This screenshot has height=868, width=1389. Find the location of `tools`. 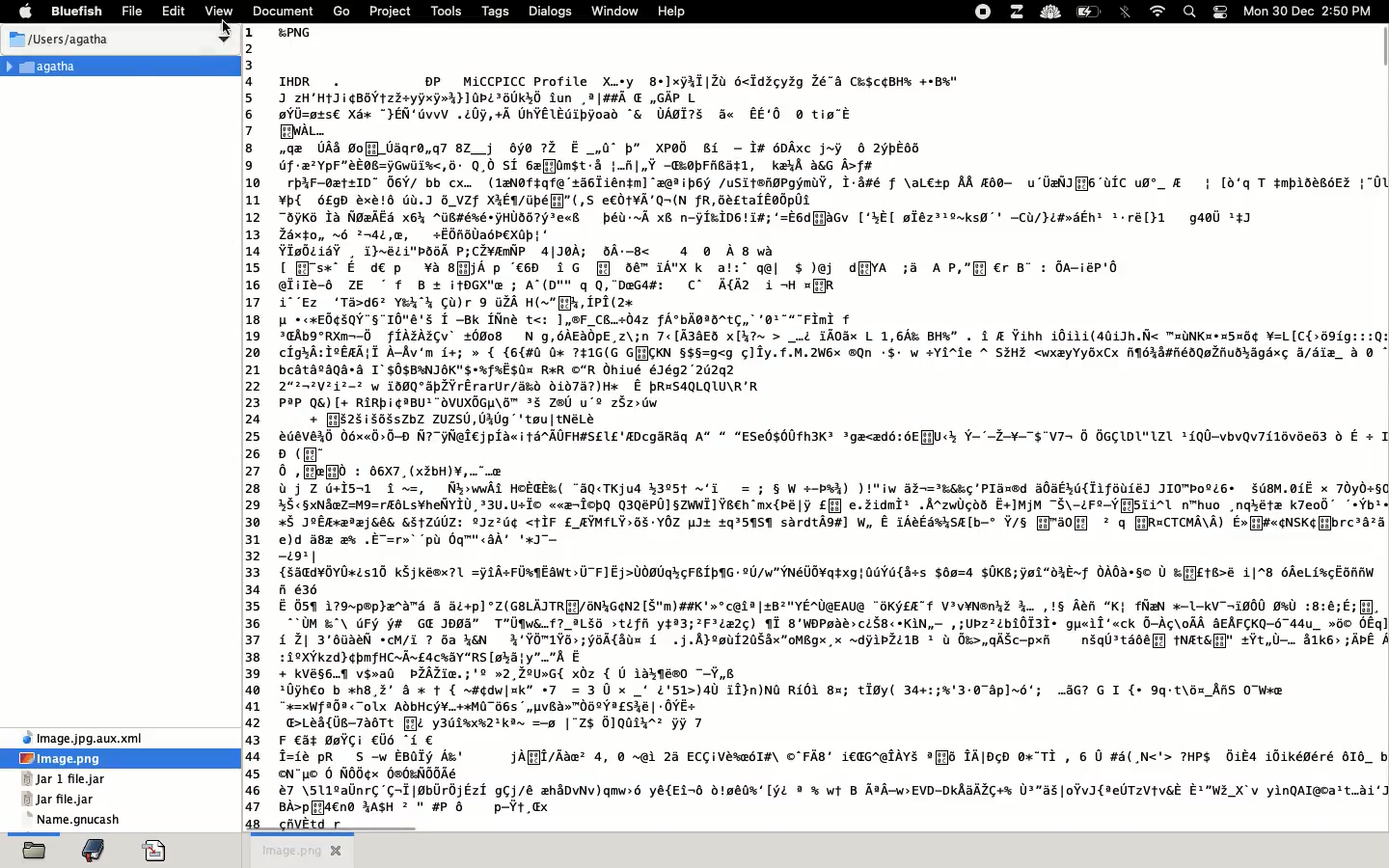

tools is located at coordinates (447, 11).